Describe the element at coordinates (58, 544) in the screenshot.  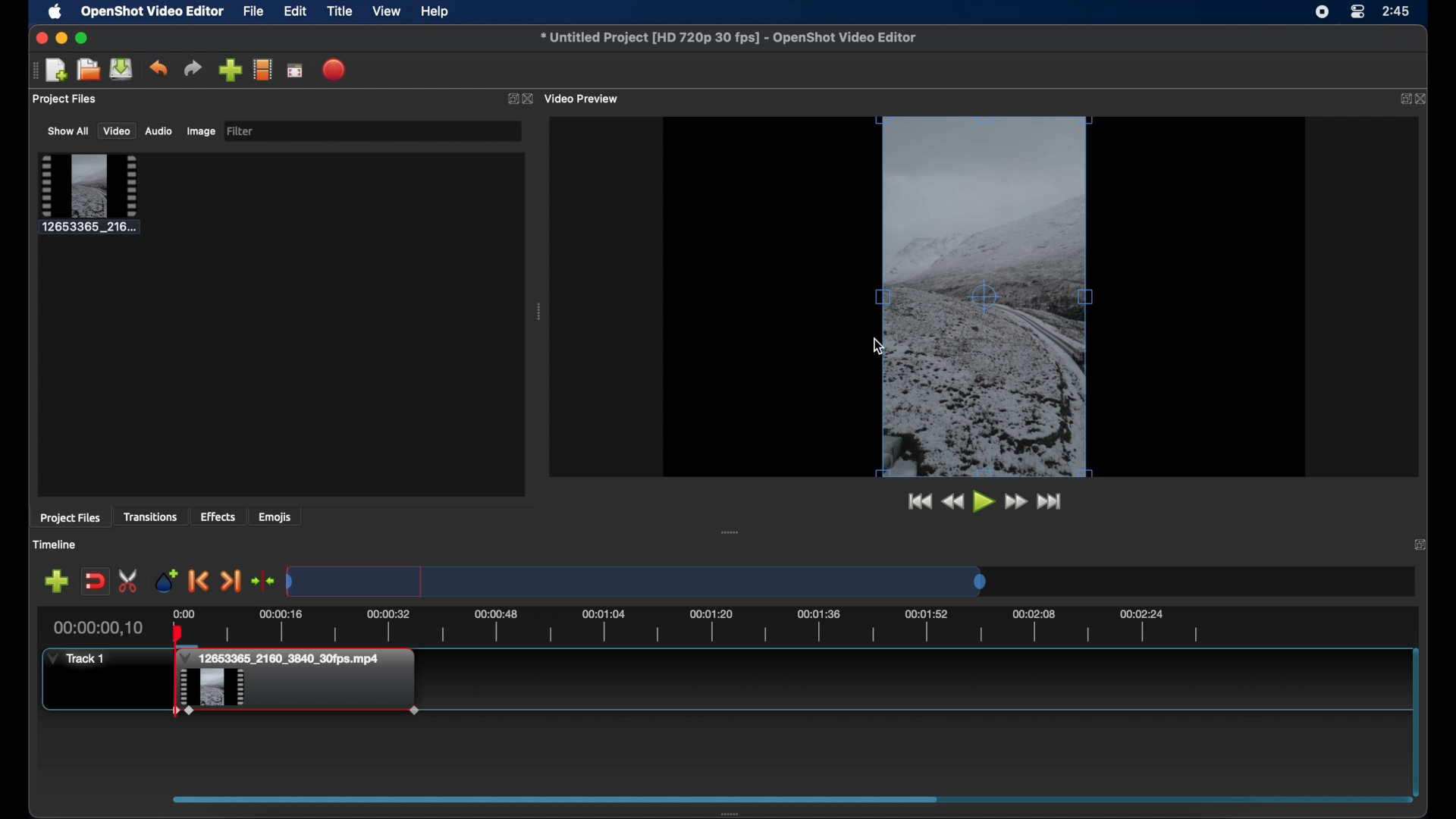
I see `timeline` at that location.